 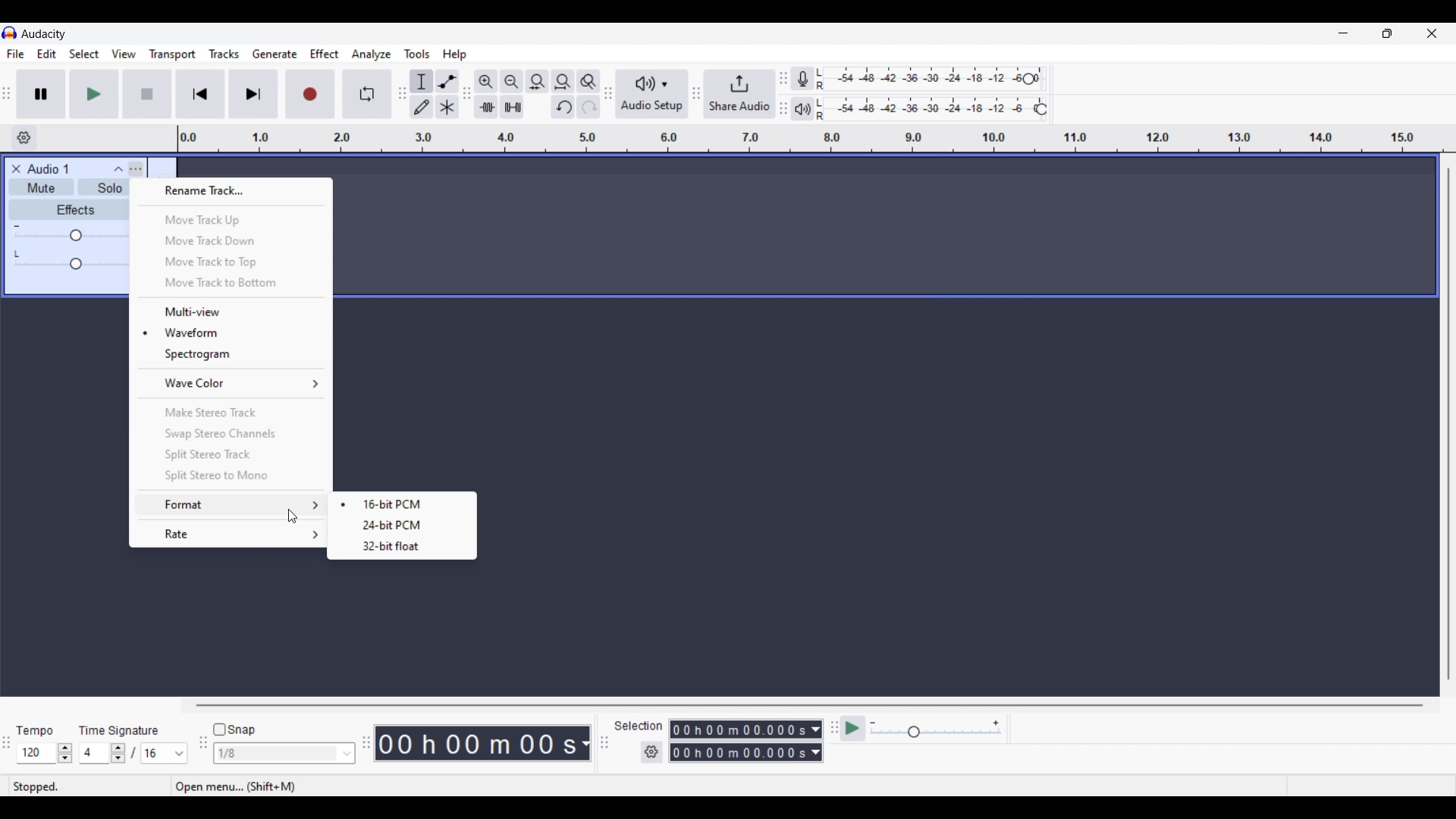 What do you see at coordinates (17, 224) in the screenshot?
I see `-` at bounding box center [17, 224].